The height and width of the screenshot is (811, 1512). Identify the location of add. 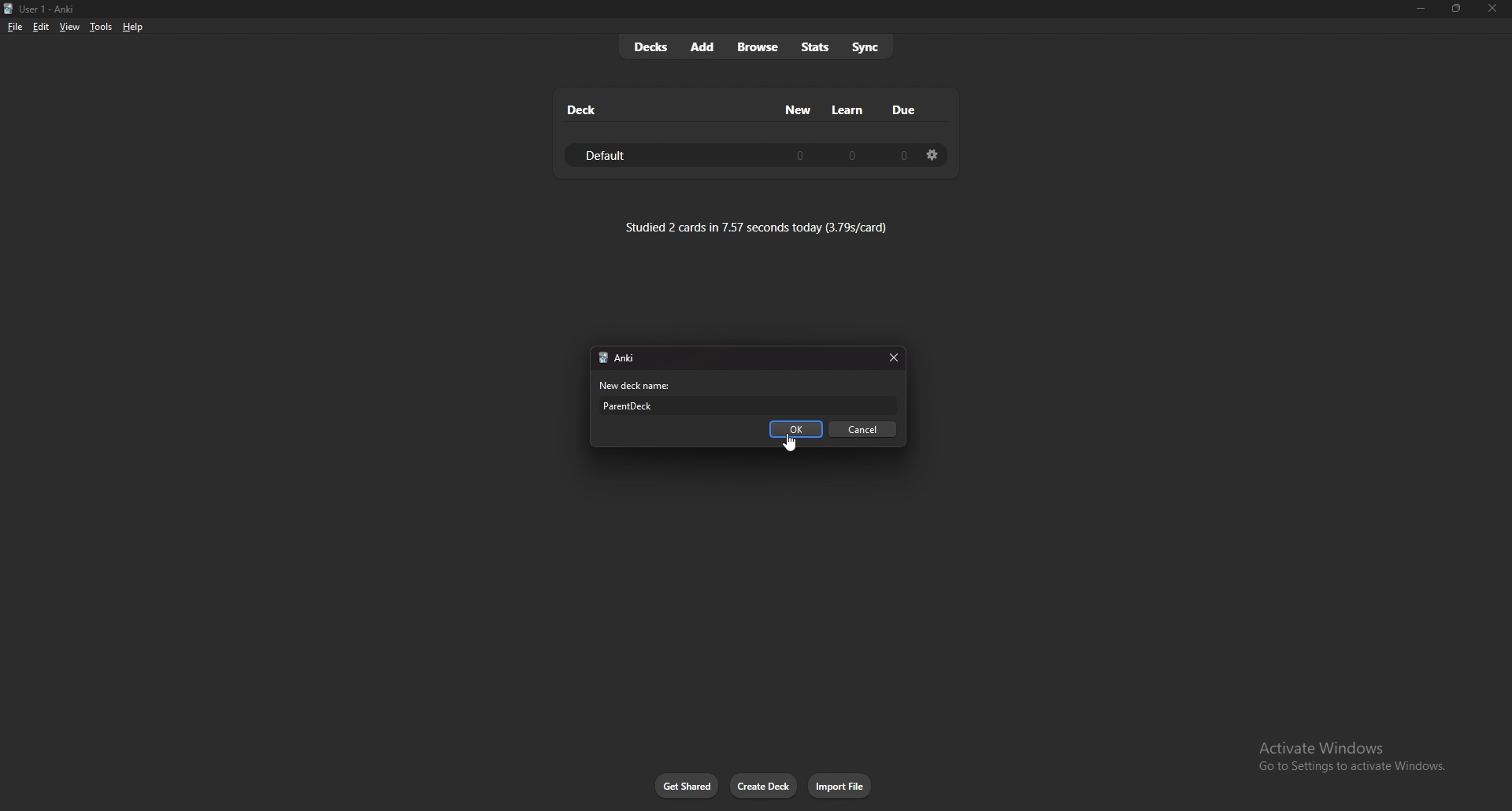
(703, 46).